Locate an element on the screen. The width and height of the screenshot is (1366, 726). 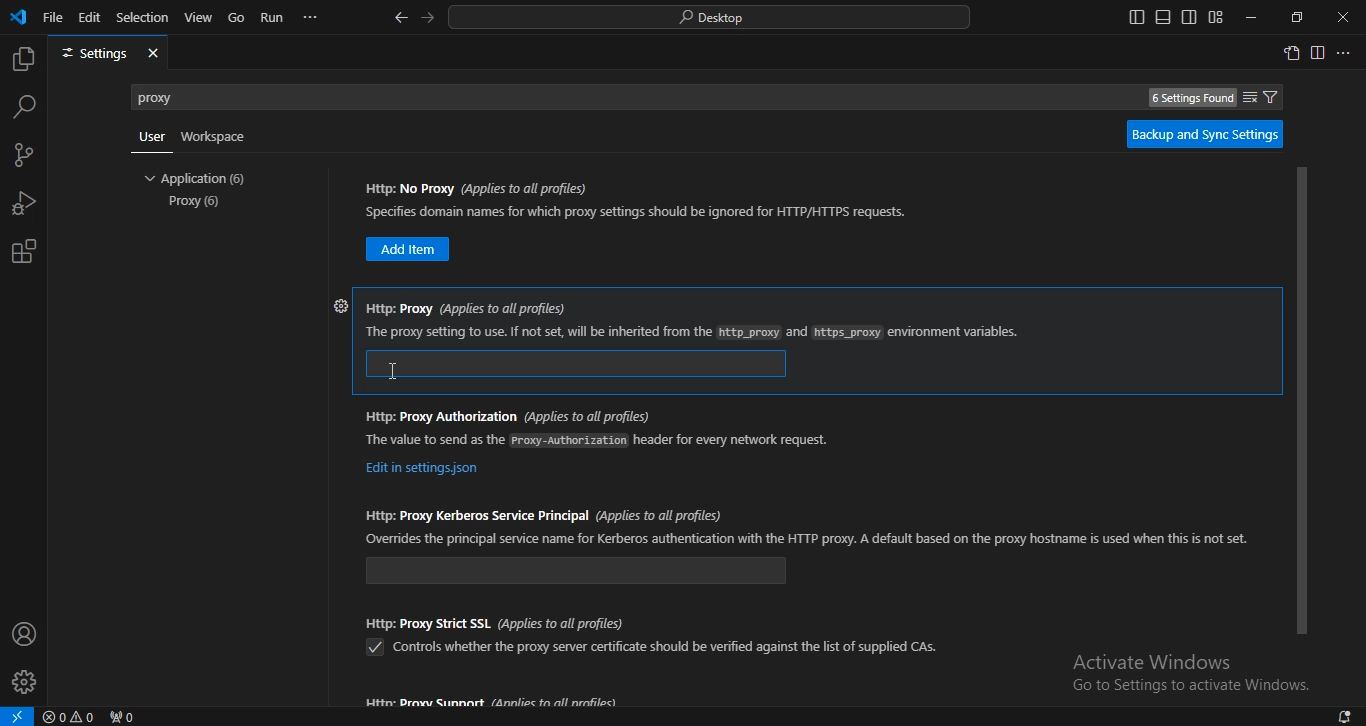
... is located at coordinates (313, 18).